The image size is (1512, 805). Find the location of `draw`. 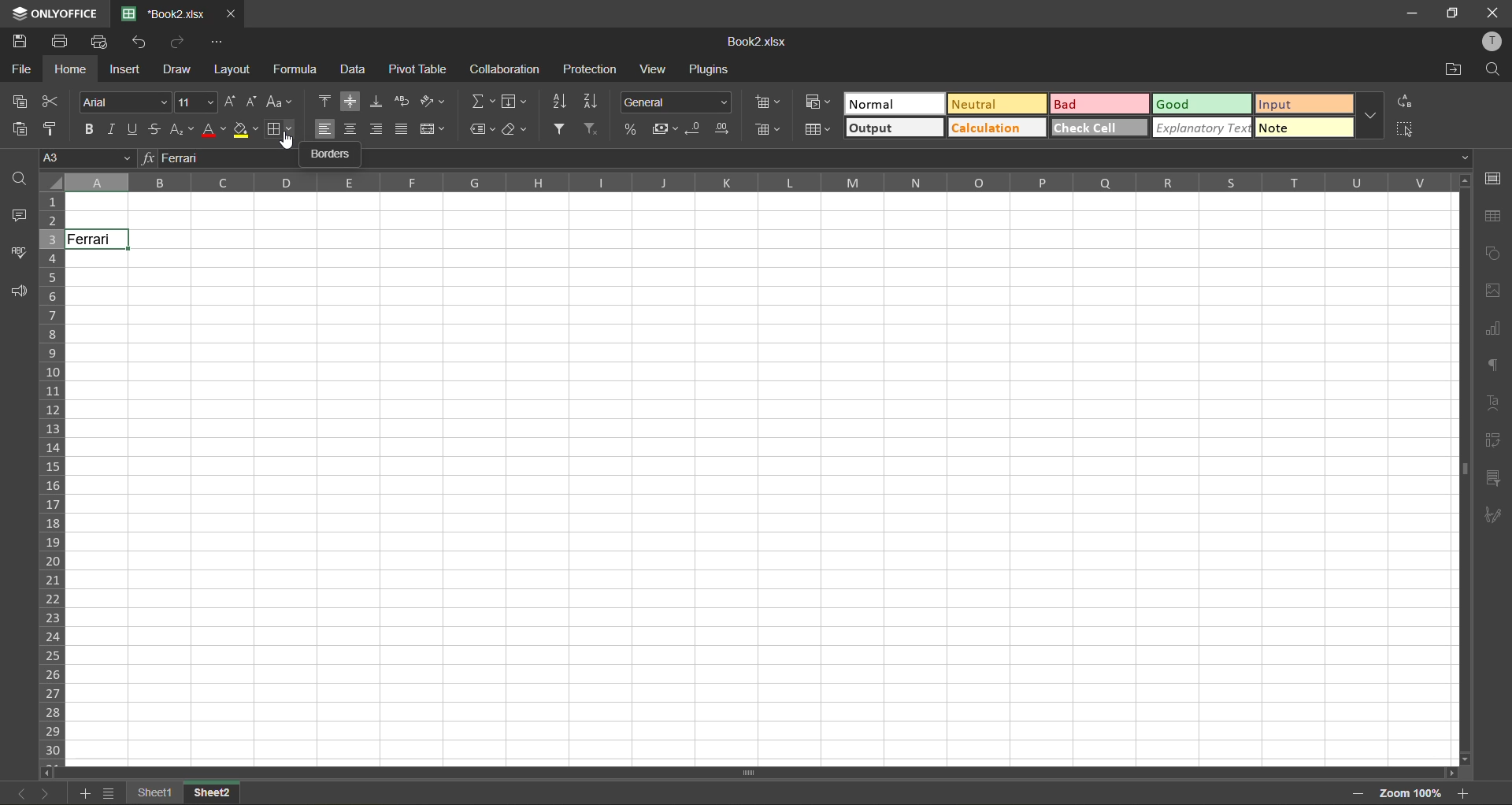

draw is located at coordinates (176, 69).